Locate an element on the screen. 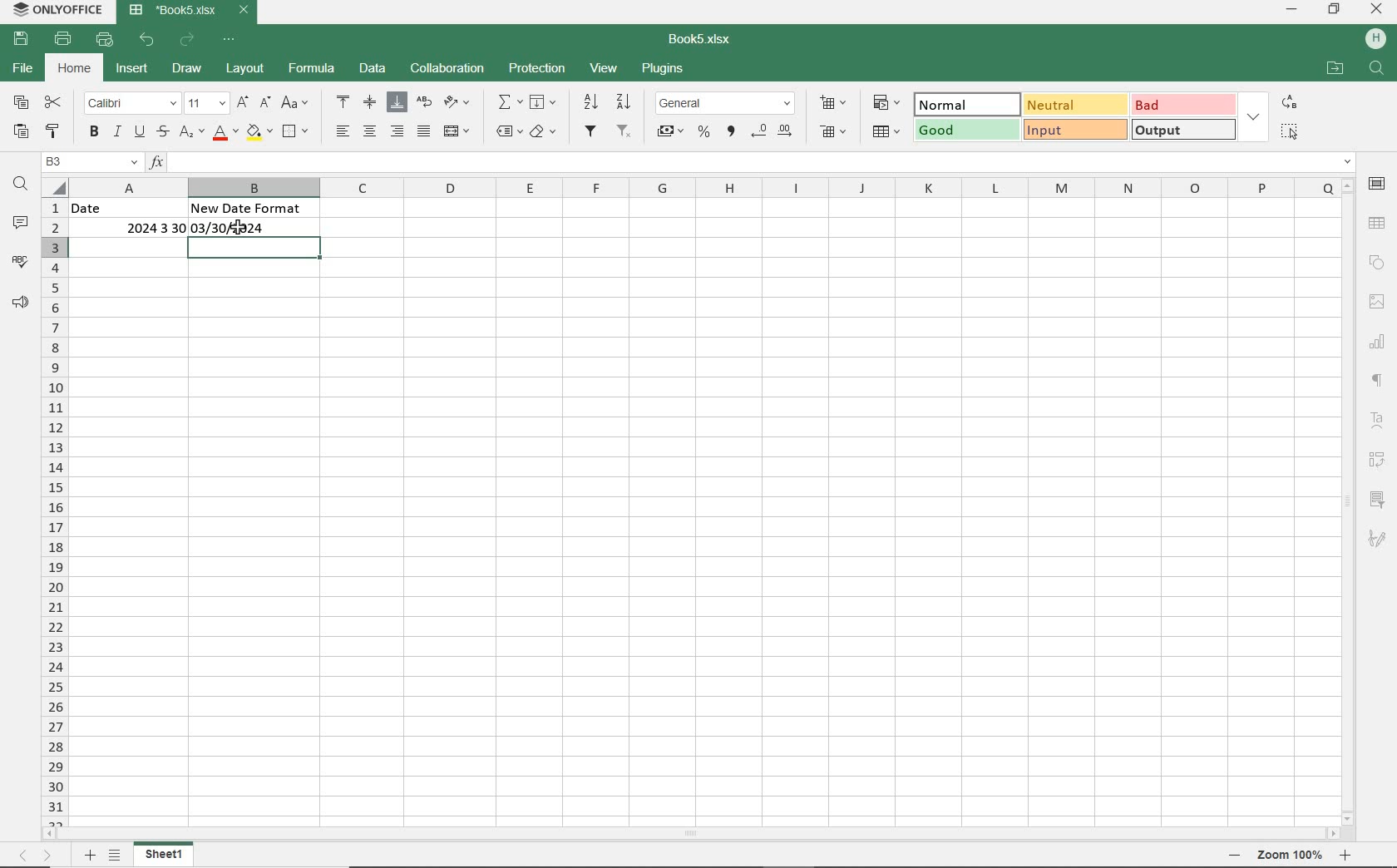 This screenshot has height=868, width=1397. INPUT FUNCTION is located at coordinates (752, 161).